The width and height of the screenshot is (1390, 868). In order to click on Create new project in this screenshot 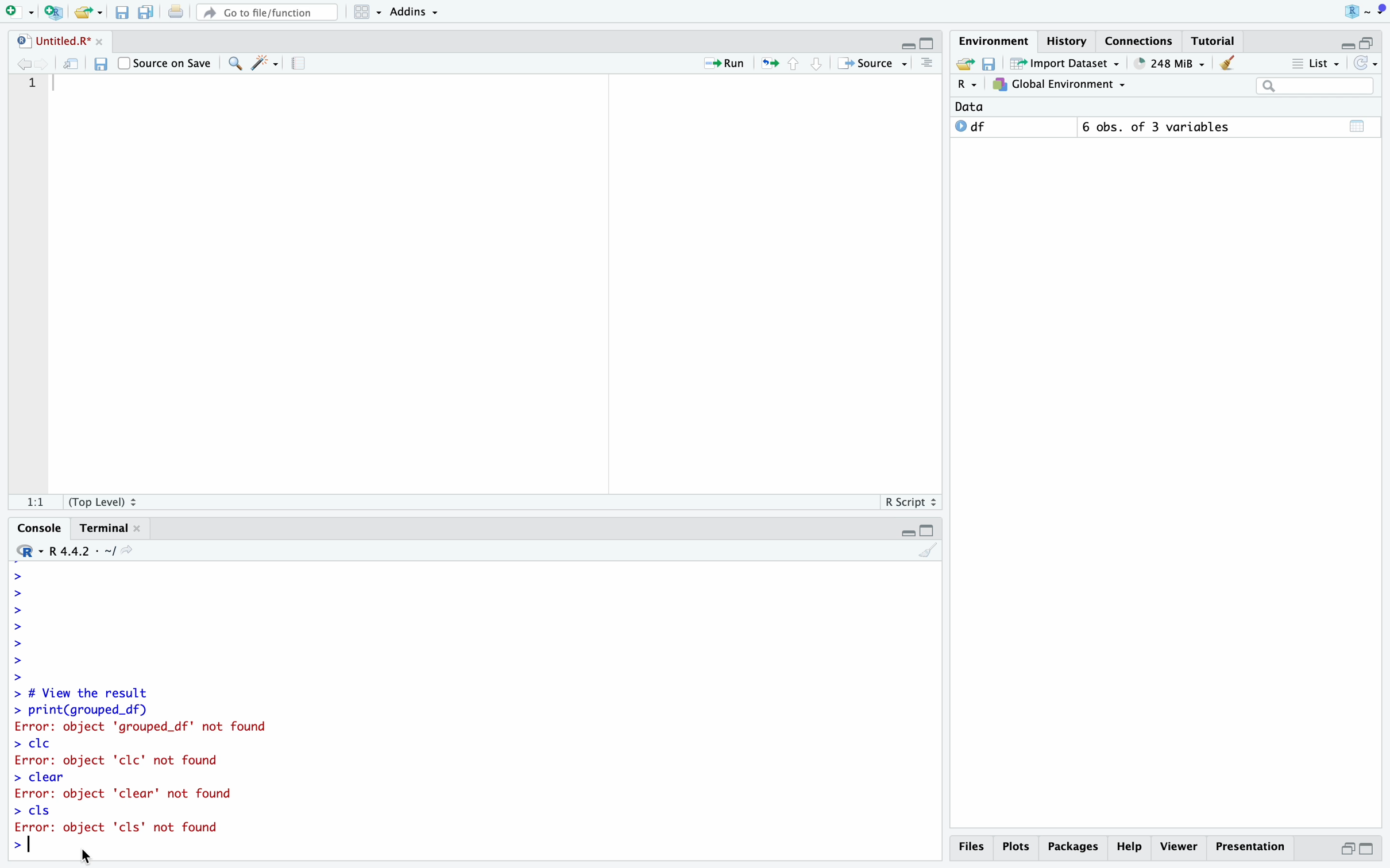, I will do `click(56, 12)`.